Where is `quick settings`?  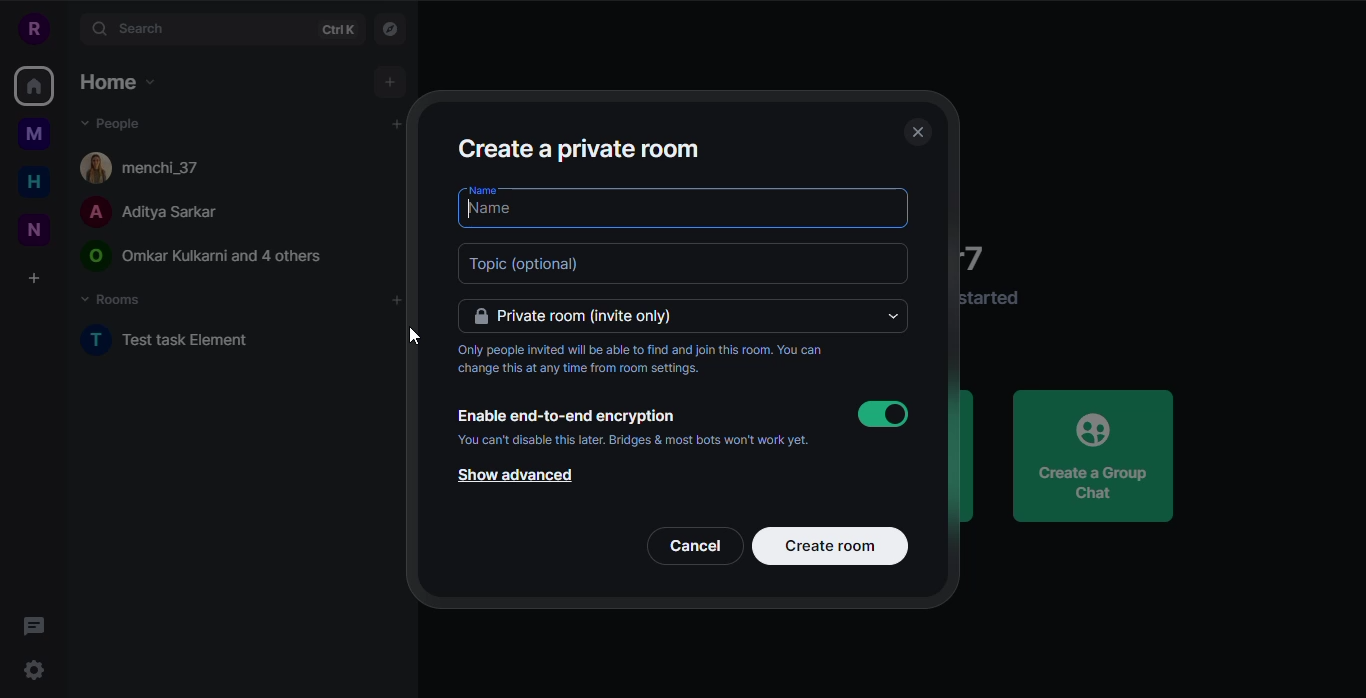 quick settings is located at coordinates (35, 673).